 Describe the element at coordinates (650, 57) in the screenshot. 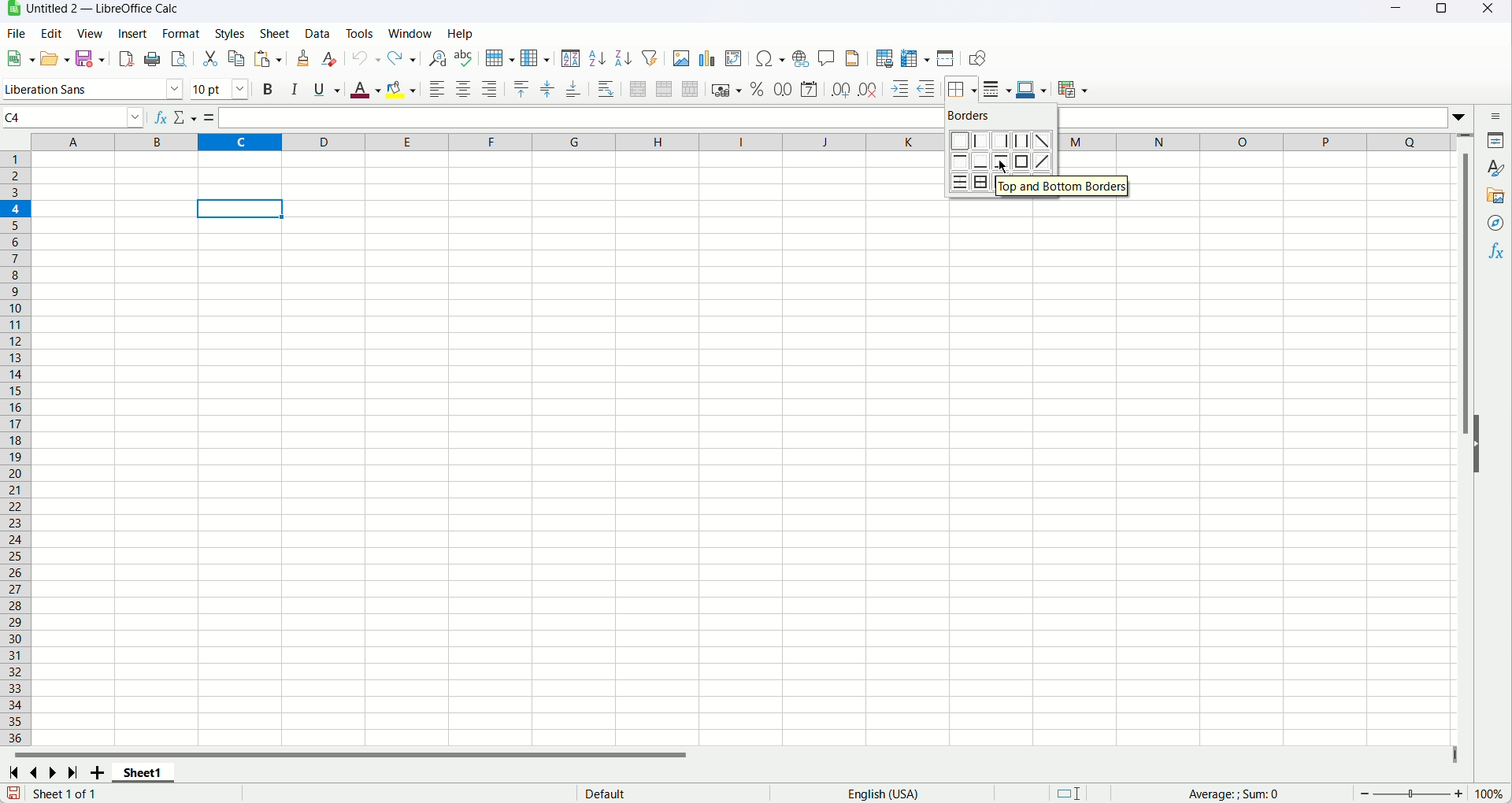

I see `Autofilter` at that location.